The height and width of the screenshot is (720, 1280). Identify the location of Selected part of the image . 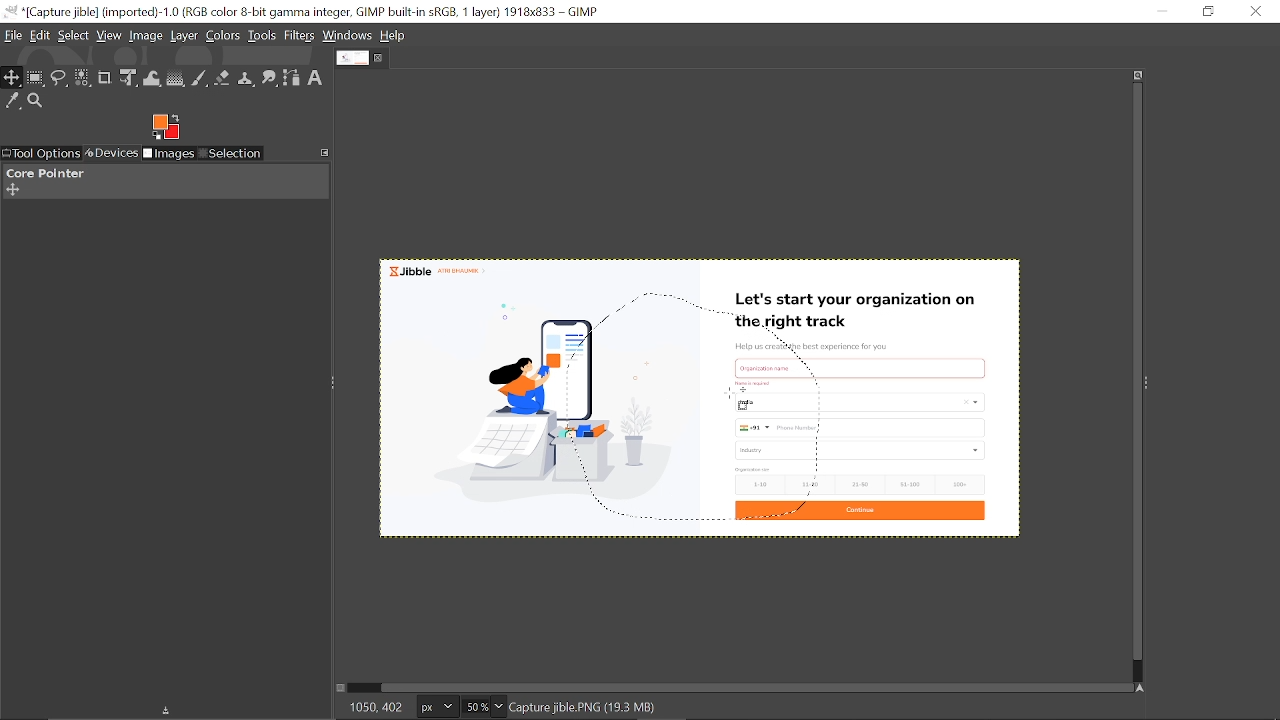
(549, 409).